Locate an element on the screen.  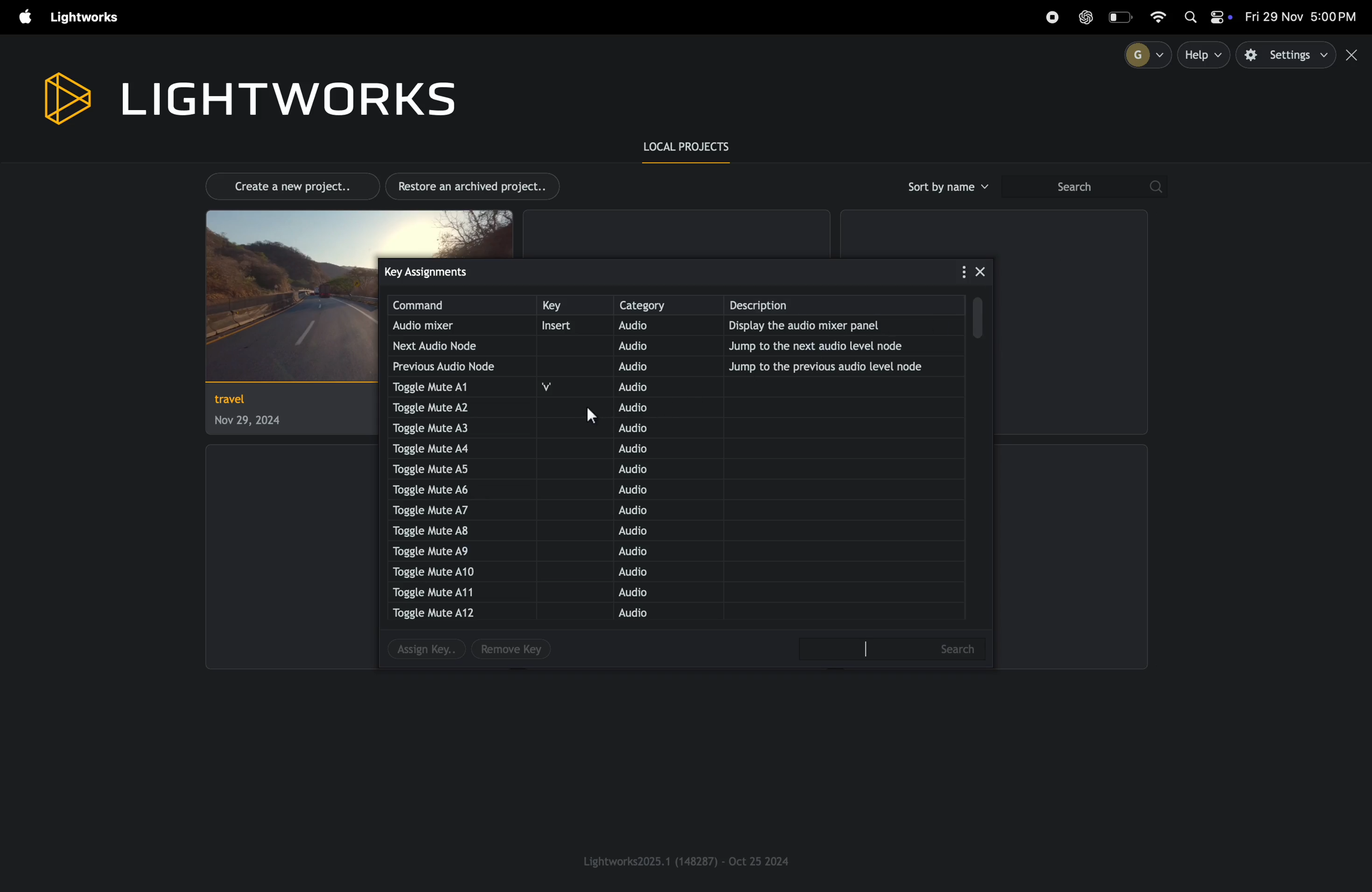
battery is located at coordinates (1122, 17).